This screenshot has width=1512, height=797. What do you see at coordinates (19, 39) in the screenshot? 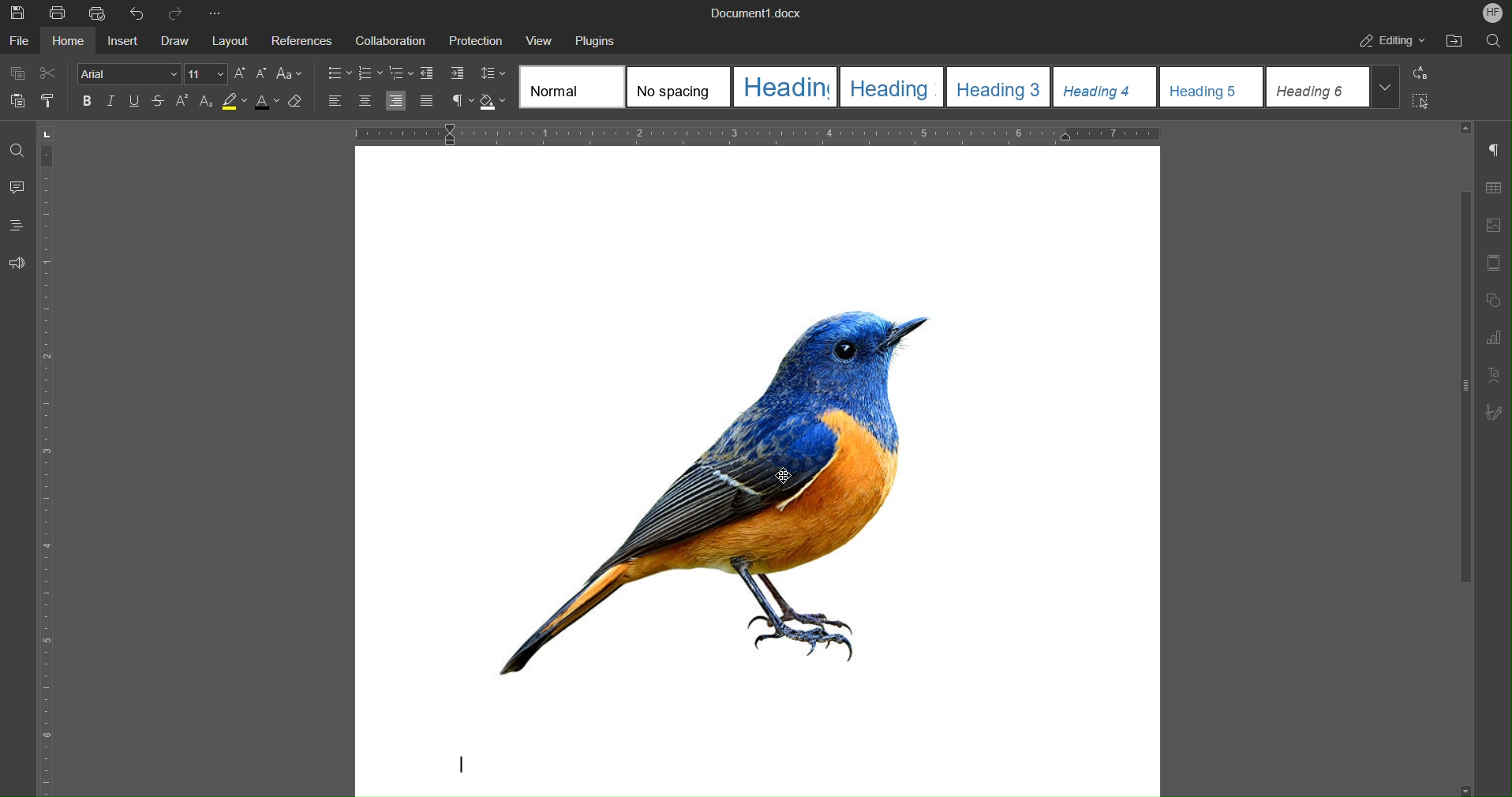
I see `File` at bounding box center [19, 39].